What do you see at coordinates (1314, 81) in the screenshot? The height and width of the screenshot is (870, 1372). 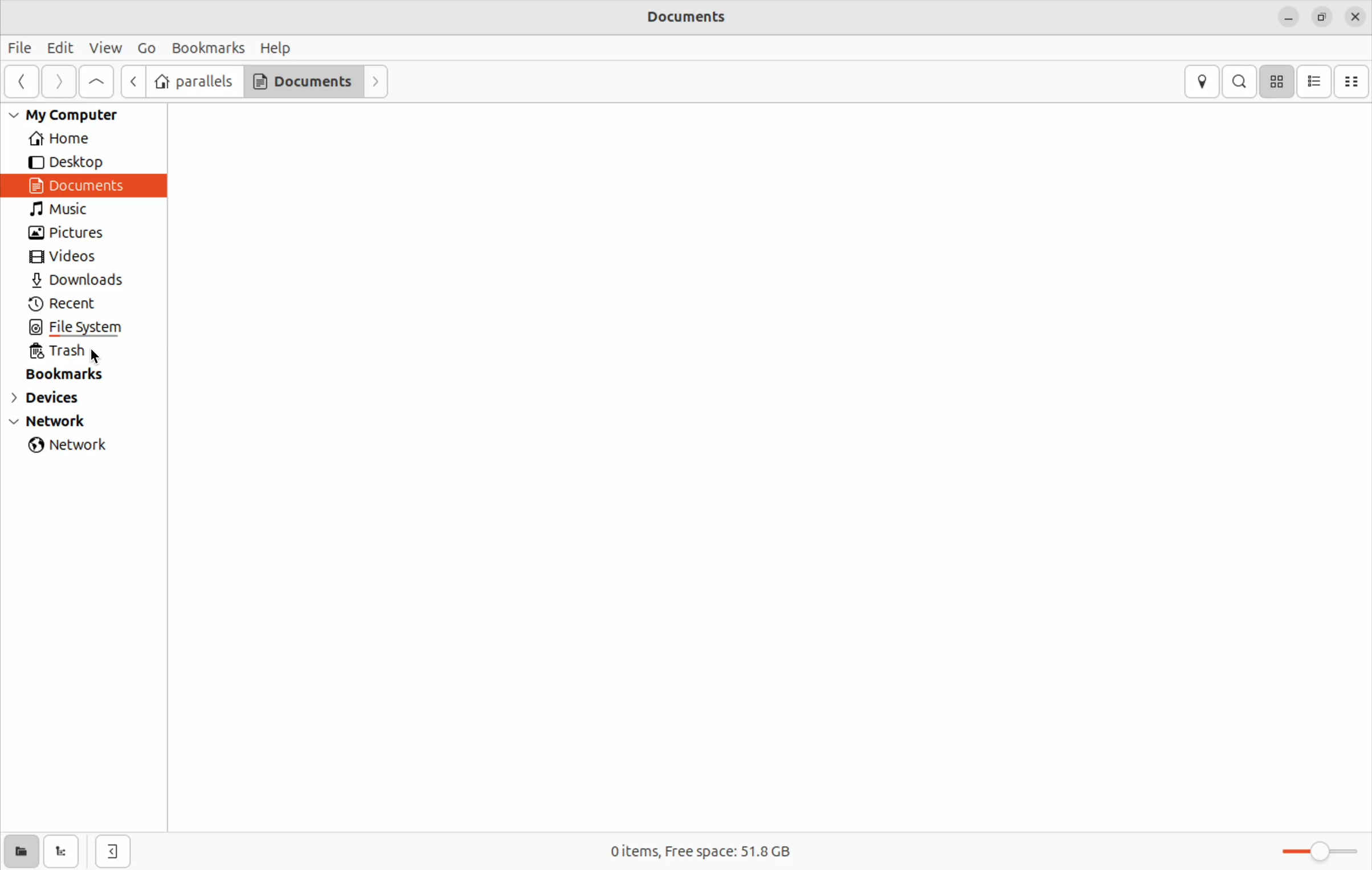 I see `bullet ist` at bounding box center [1314, 81].